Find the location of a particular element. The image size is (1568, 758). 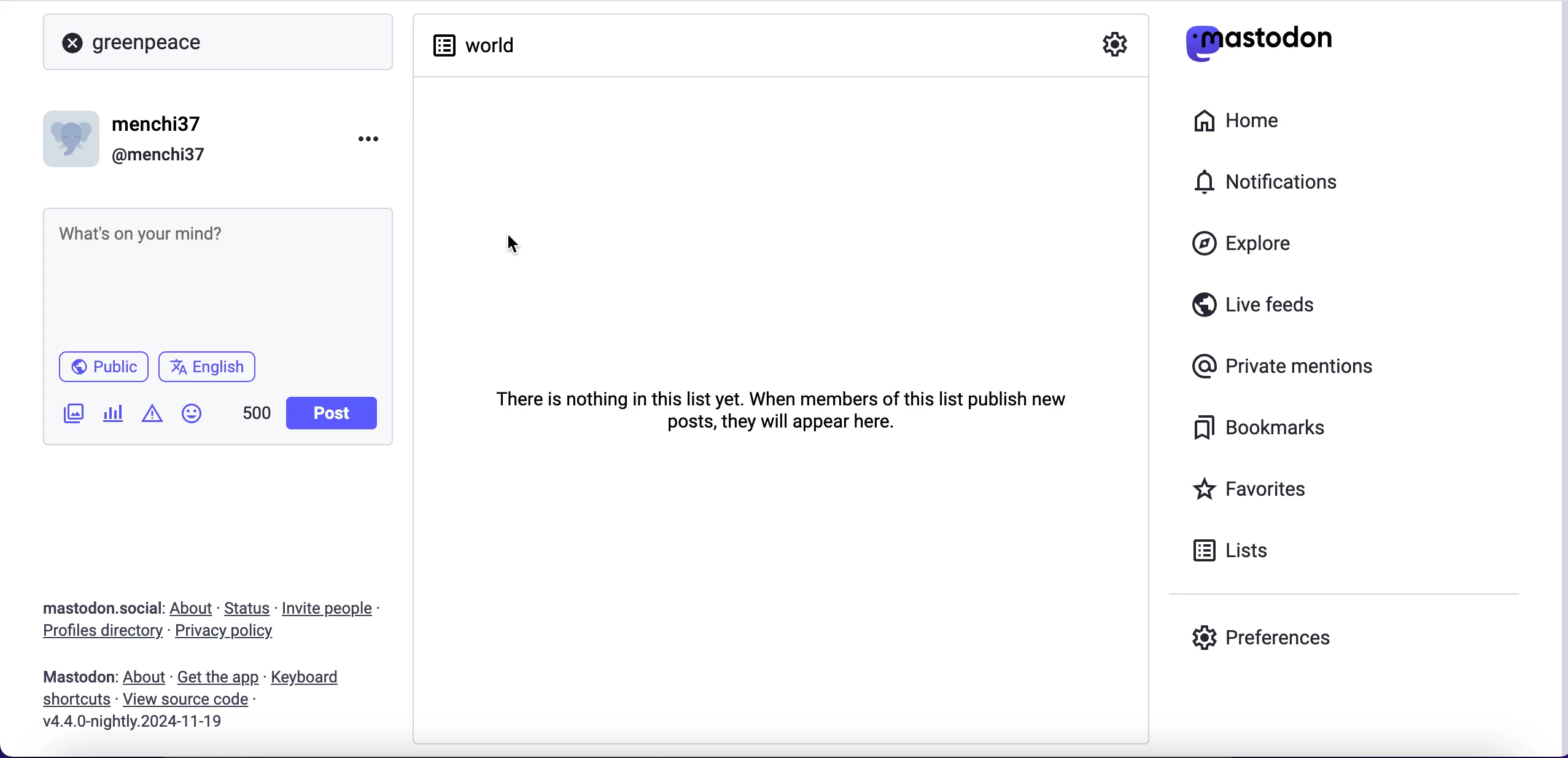

mastodon social is located at coordinates (86, 609).